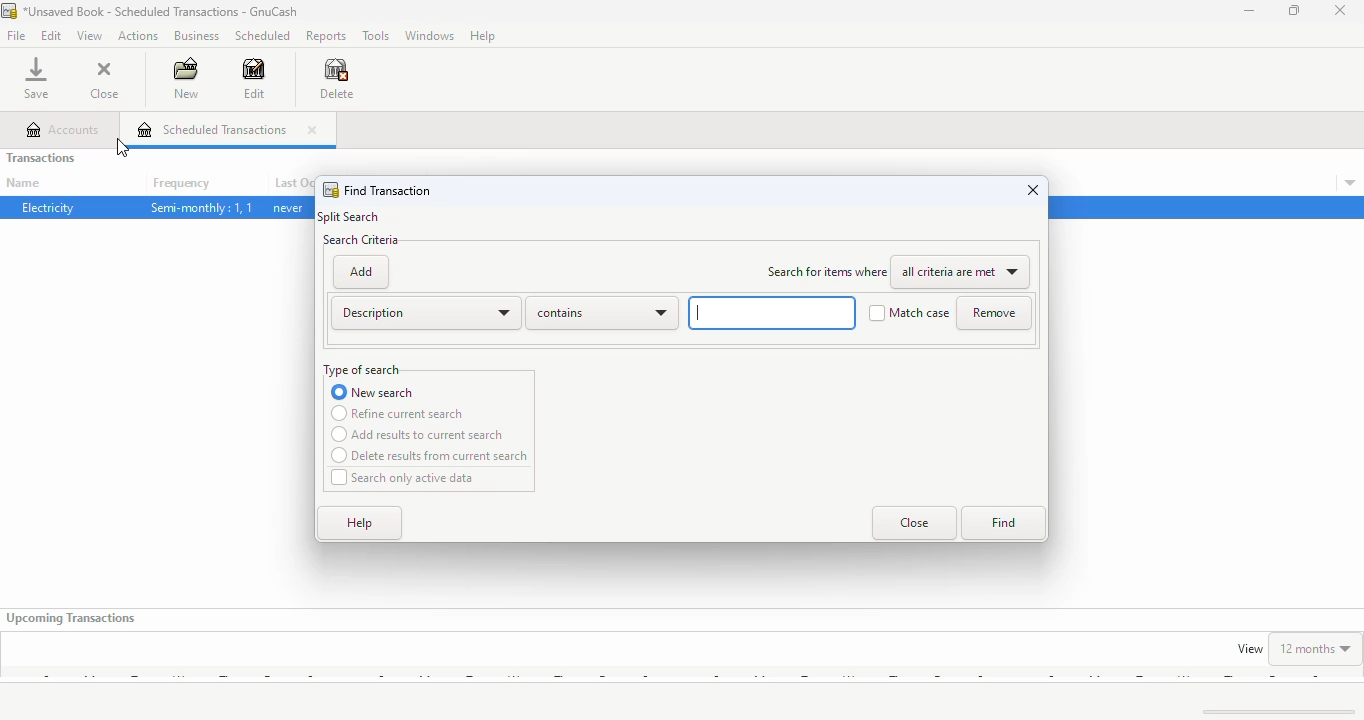 The height and width of the screenshot is (720, 1364). Describe the element at coordinates (52, 35) in the screenshot. I see `edit` at that location.